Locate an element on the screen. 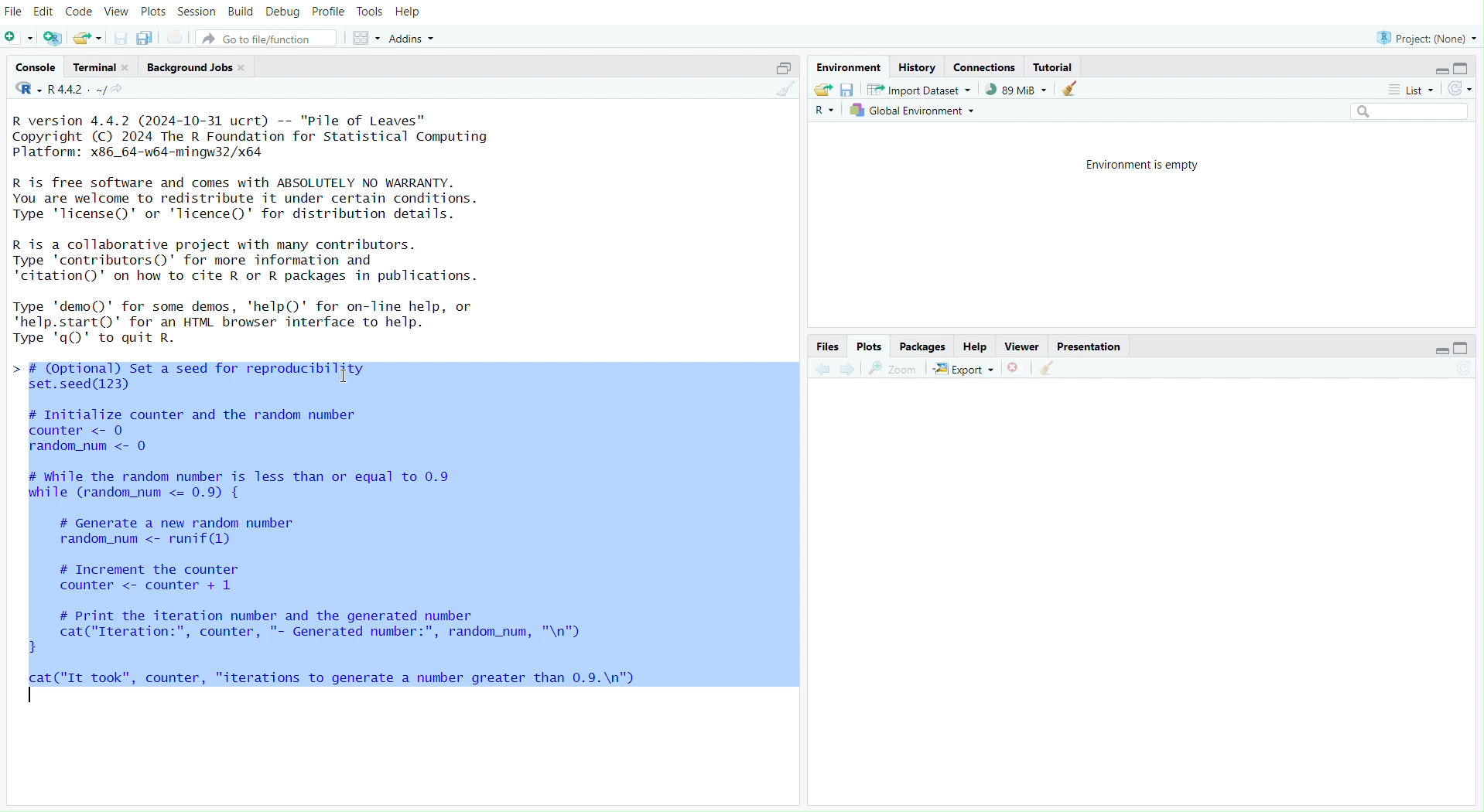  R version 4.4.2 (2024-10-31 ucrt) -- "Pile of Leaves”
Copyright (C) 2024 The R Foundation for Statistical Computing
Platform: x86_64-w64-mingw32/x64

R is free software and comes with ABSOLUTELY NO WARRANTY.
You are welcome to redistribute it under certain conditions.
Type 'license()' or 'licence()' for distribution details.

R is a collaborative project with many contributors.

Type 'contributors()' for more information and

'citation()' on how to cite R or R packages in publications.
Type 'demo()' for some demos, 'help()' for on-Tine help, or
'help.start()"' for an HTML browser interface to help.

Twoe 'a()' to auit R. is located at coordinates (264, 223).